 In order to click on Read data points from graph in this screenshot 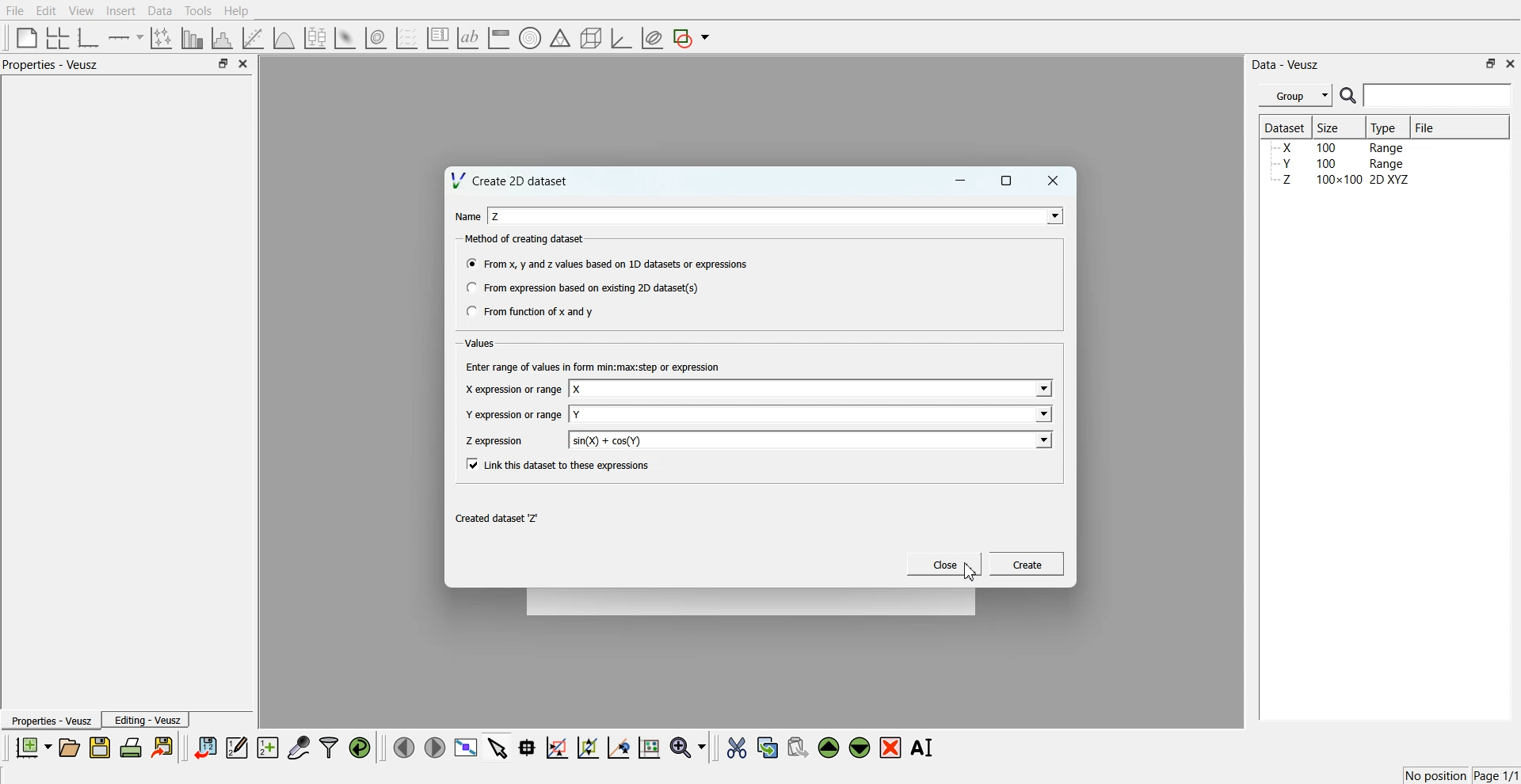, I will do `click(528, 747)`.